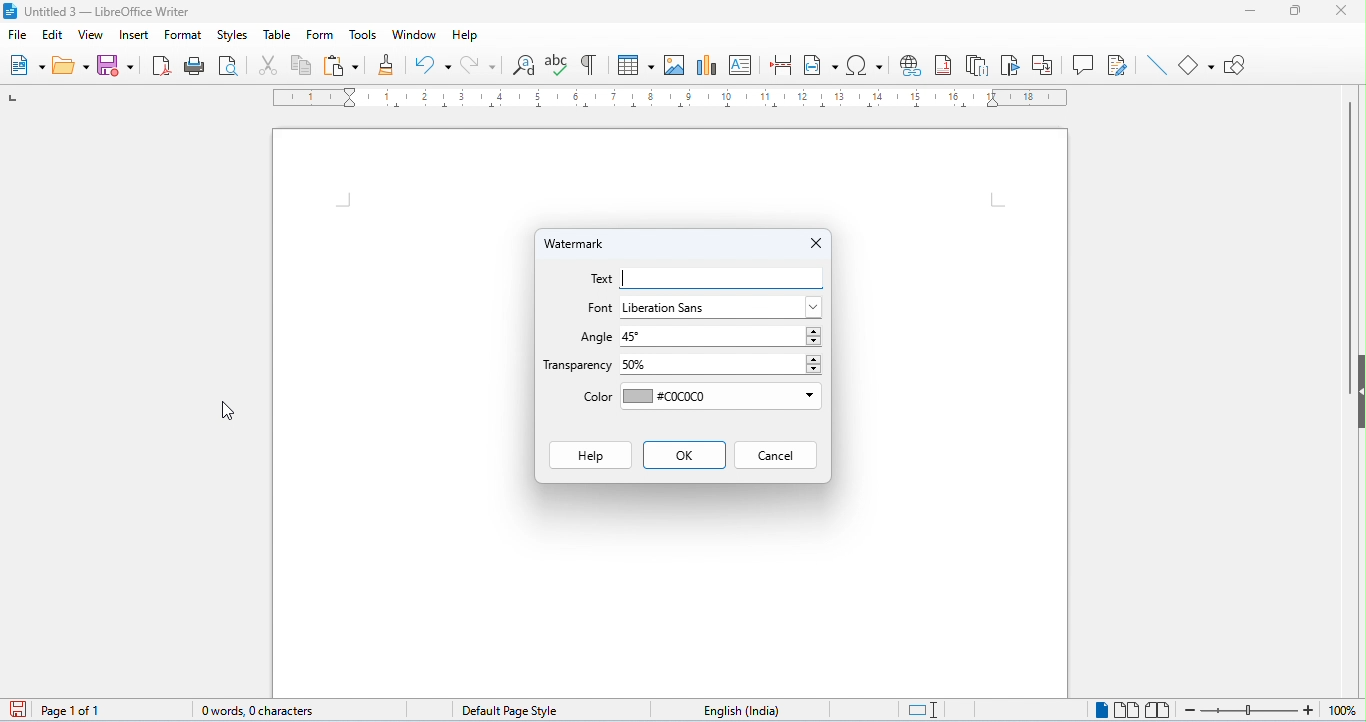 The height and width of the screenshot is (722, 1366). I want to click on insert hyperlink, so click(910, 64).